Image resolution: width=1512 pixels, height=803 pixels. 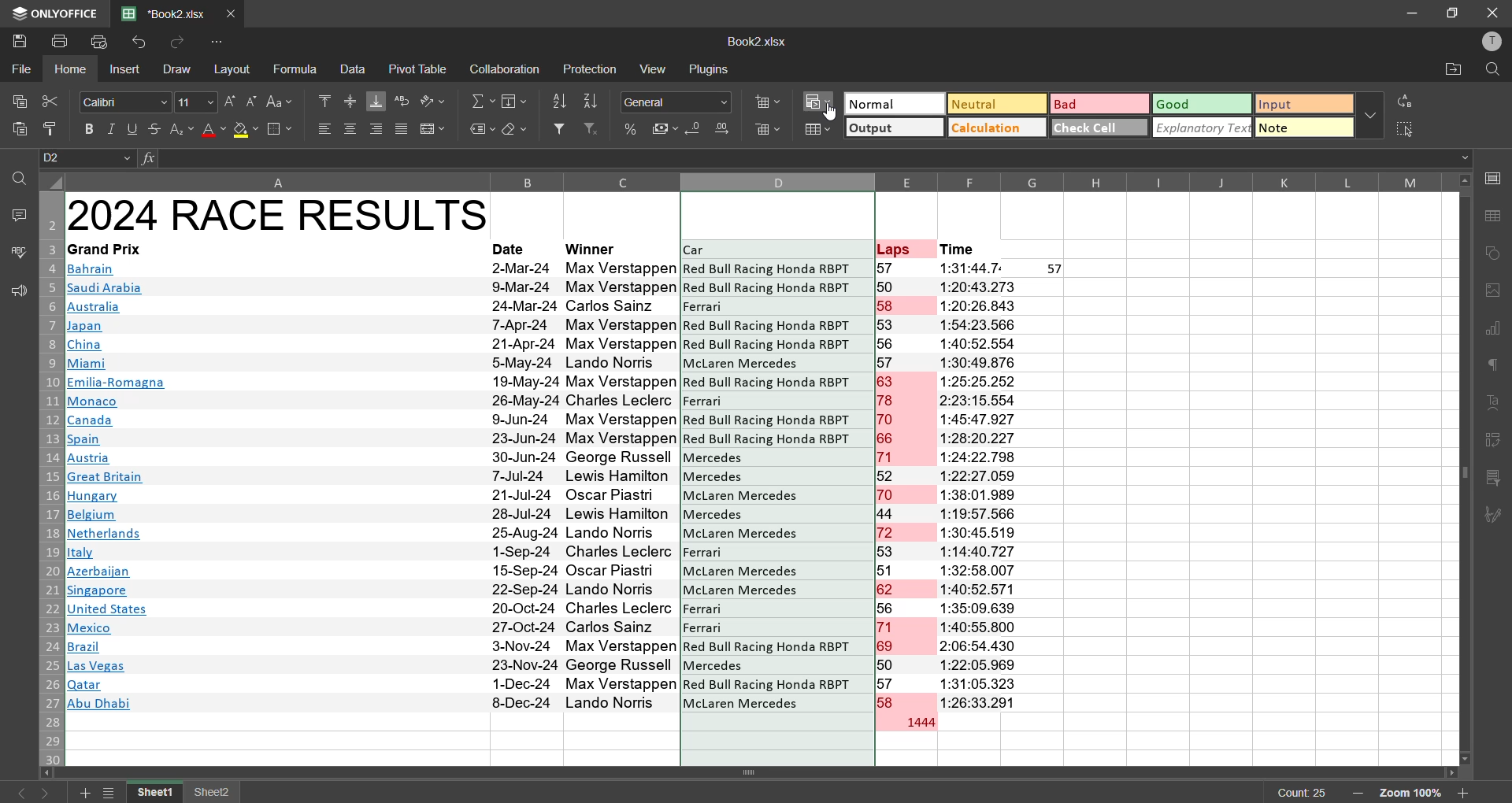 What do you see at coordinates (993, 103) in the screenshot?
I see `neutral` at bounding box center [993, 103].